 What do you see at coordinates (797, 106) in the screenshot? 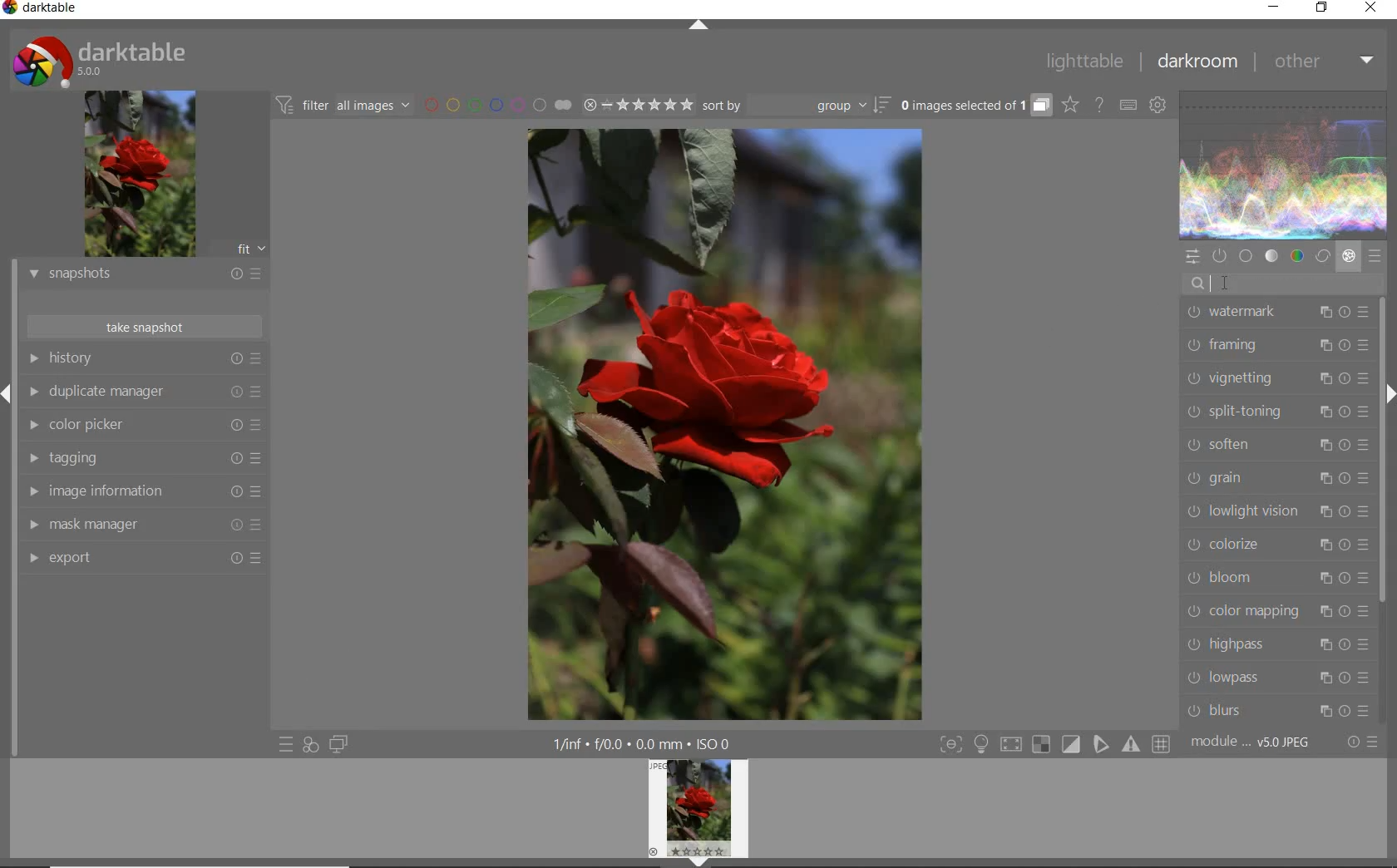
I see `sort` at bounding box center [797, 106].